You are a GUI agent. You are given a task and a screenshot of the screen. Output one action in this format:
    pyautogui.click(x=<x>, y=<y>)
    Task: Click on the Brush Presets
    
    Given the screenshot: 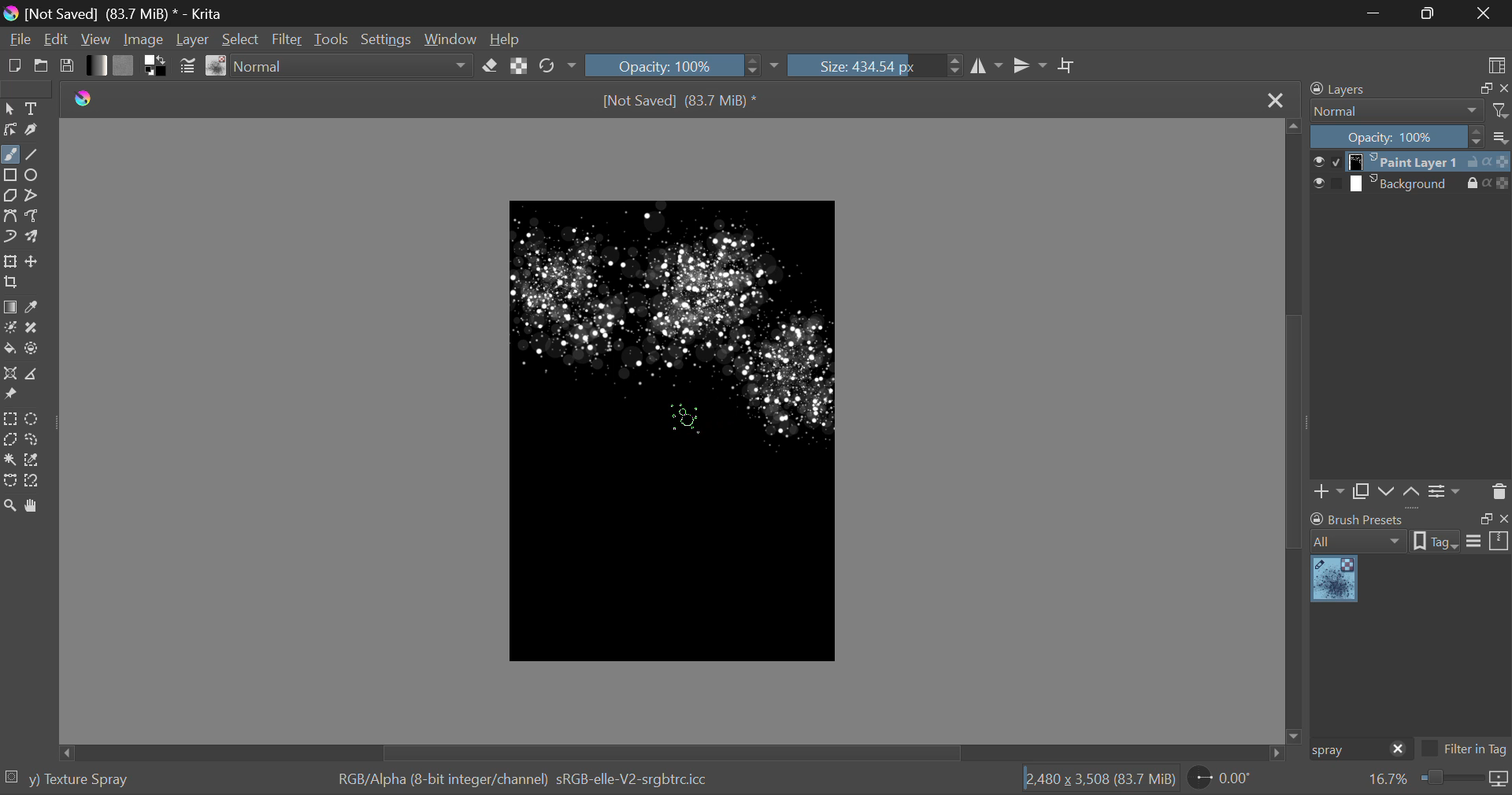 What is the action you would take?
    pyautogui.click(x=217, y=66)
    